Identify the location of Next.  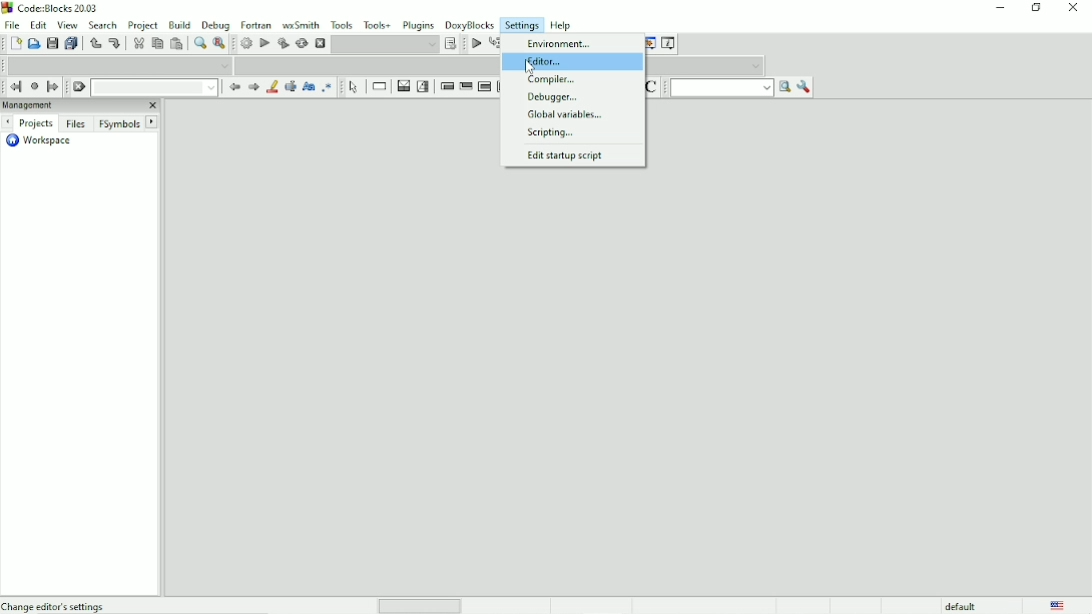
(152, 121).